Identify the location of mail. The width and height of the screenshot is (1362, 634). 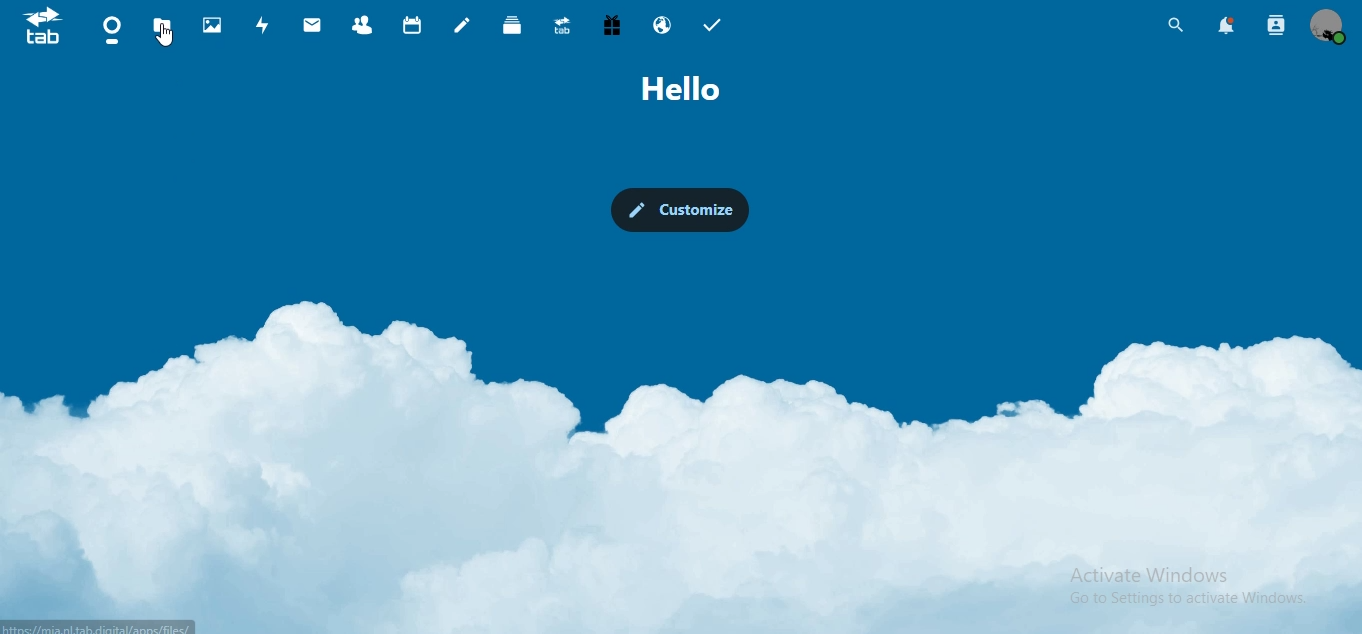
(312, 24).